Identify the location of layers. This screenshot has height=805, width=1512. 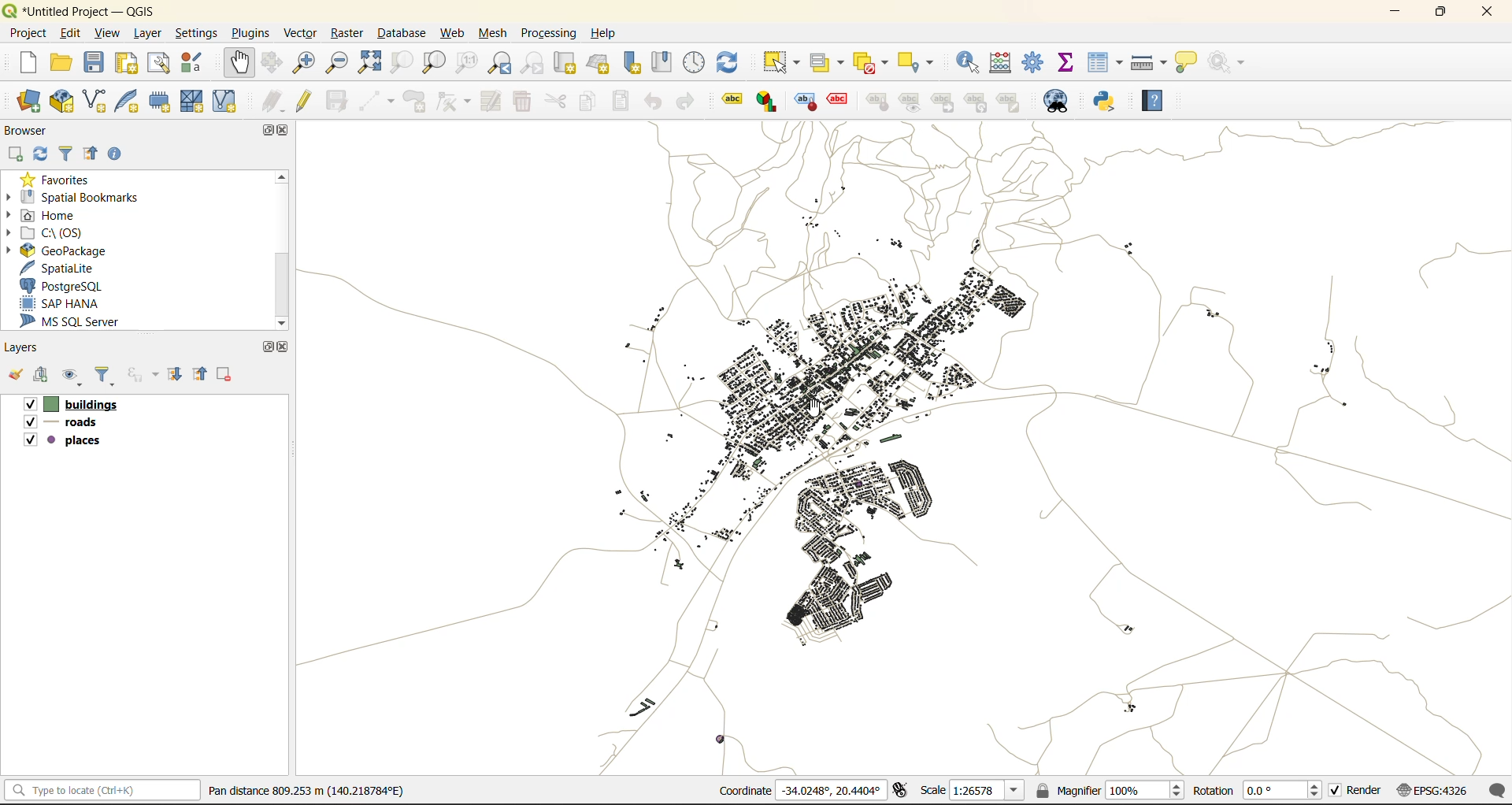
(24, 348).